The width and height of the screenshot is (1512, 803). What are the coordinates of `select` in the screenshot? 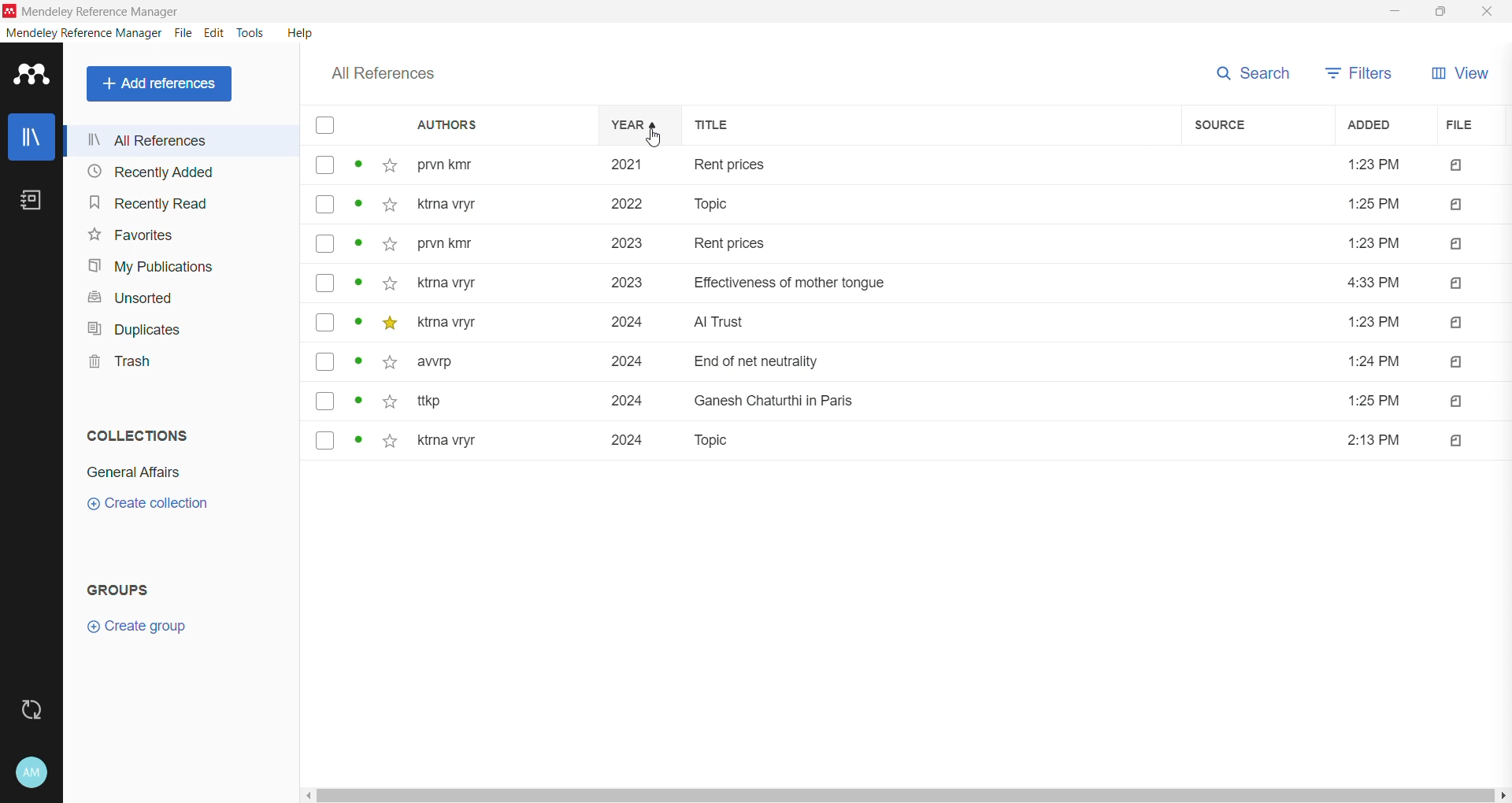 It's located at (325, 284).